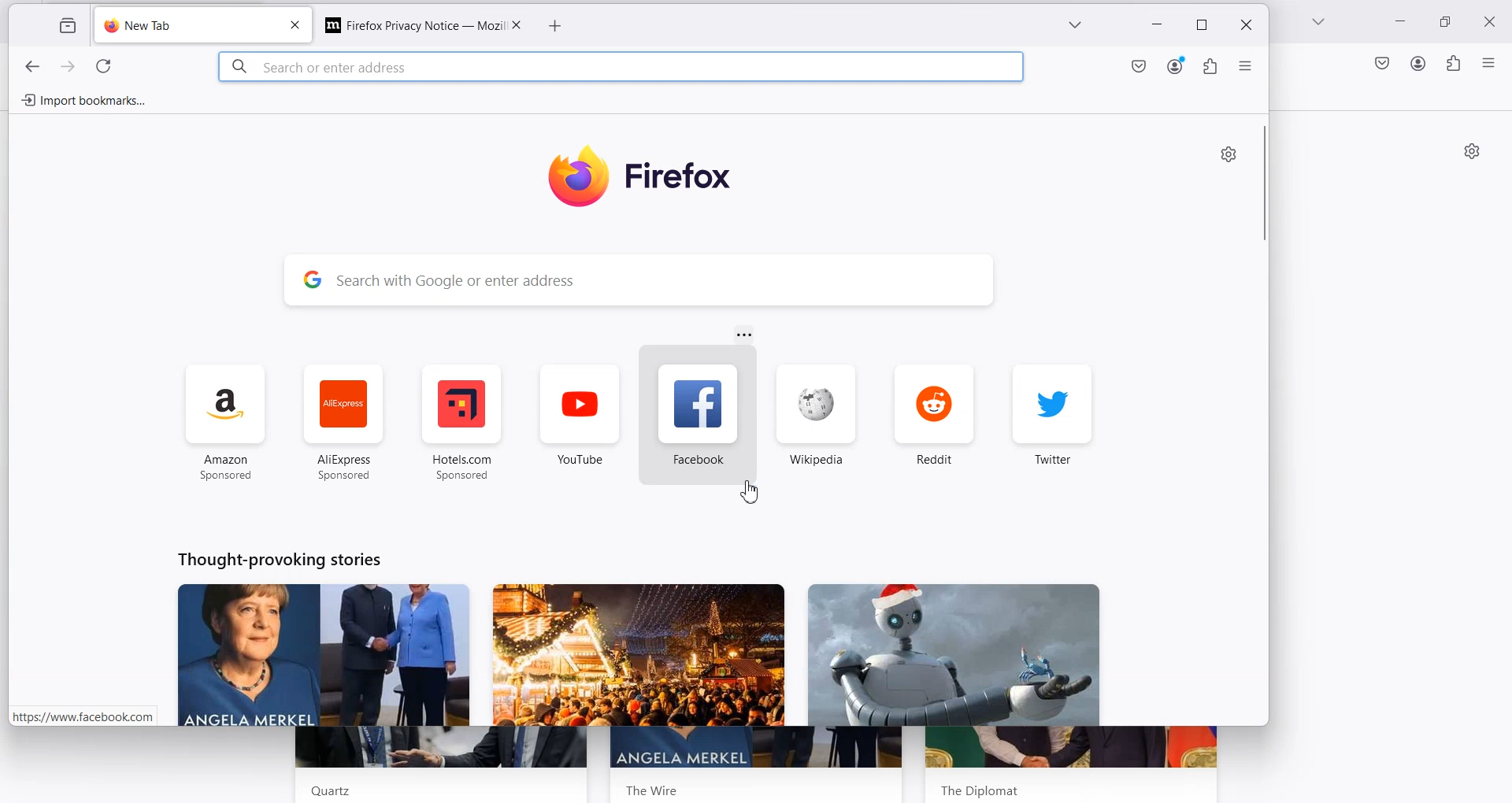 This screenshot has height=803, width=1512. What do you see at coordinates (580, 414) in the screenshot?
I see `youtube` at bounding box center [580, 414].